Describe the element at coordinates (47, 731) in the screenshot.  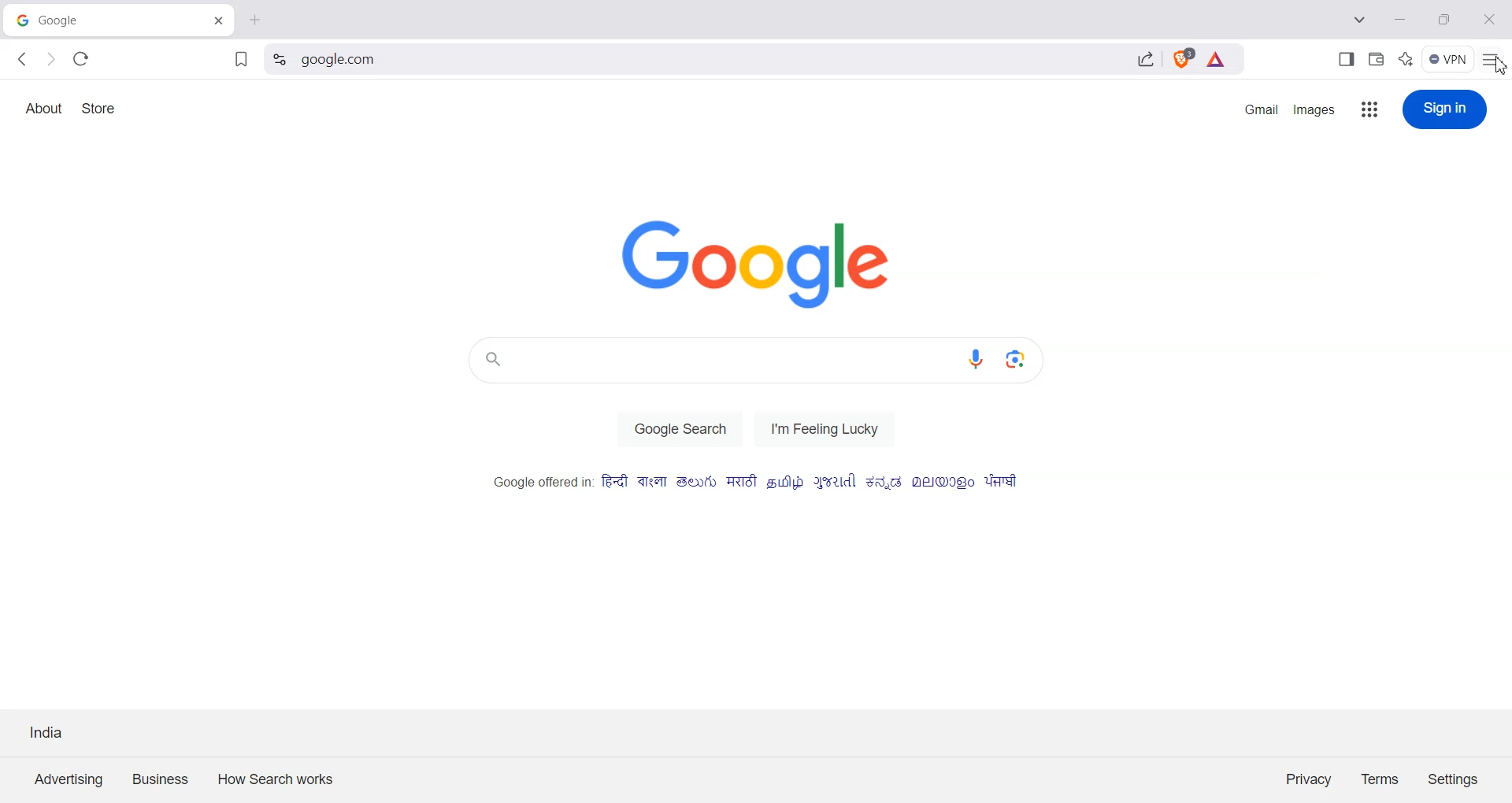
I see `India` at that location.